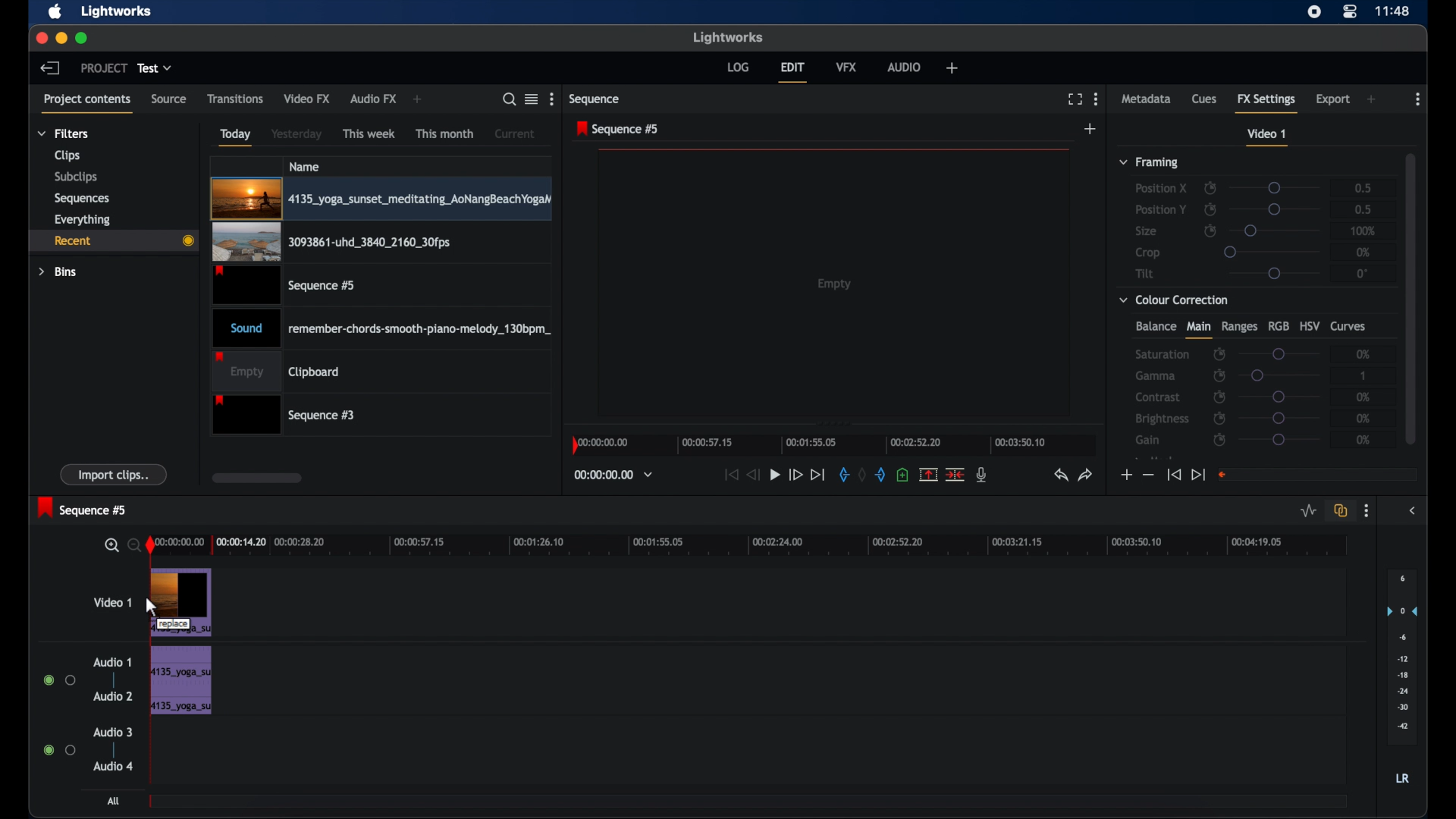 This screenshot has height=819, width=1456. I want to click on 0%, so click(1361, 398).